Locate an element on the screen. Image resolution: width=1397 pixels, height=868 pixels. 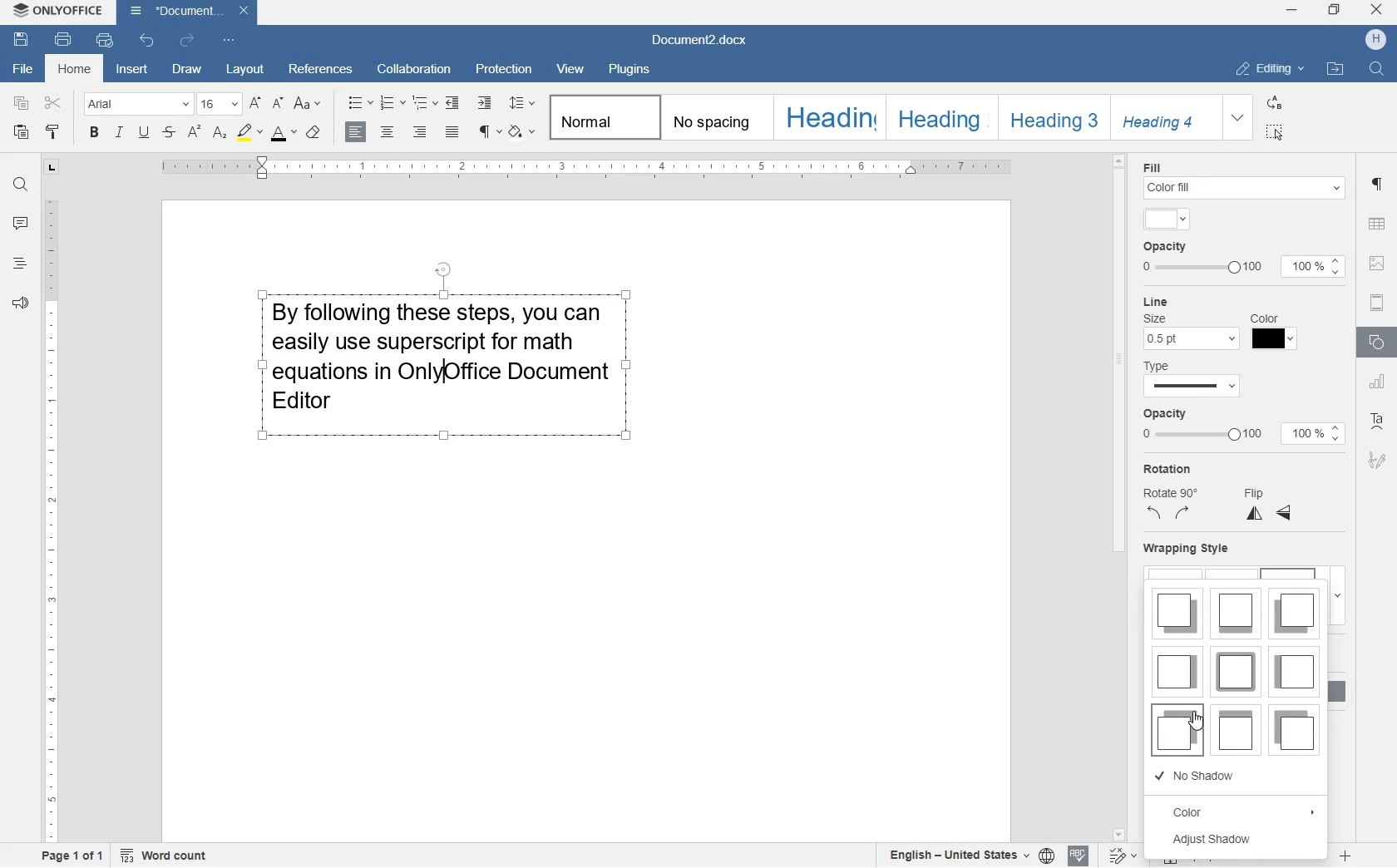
copy is located at coordinates (22, 104).